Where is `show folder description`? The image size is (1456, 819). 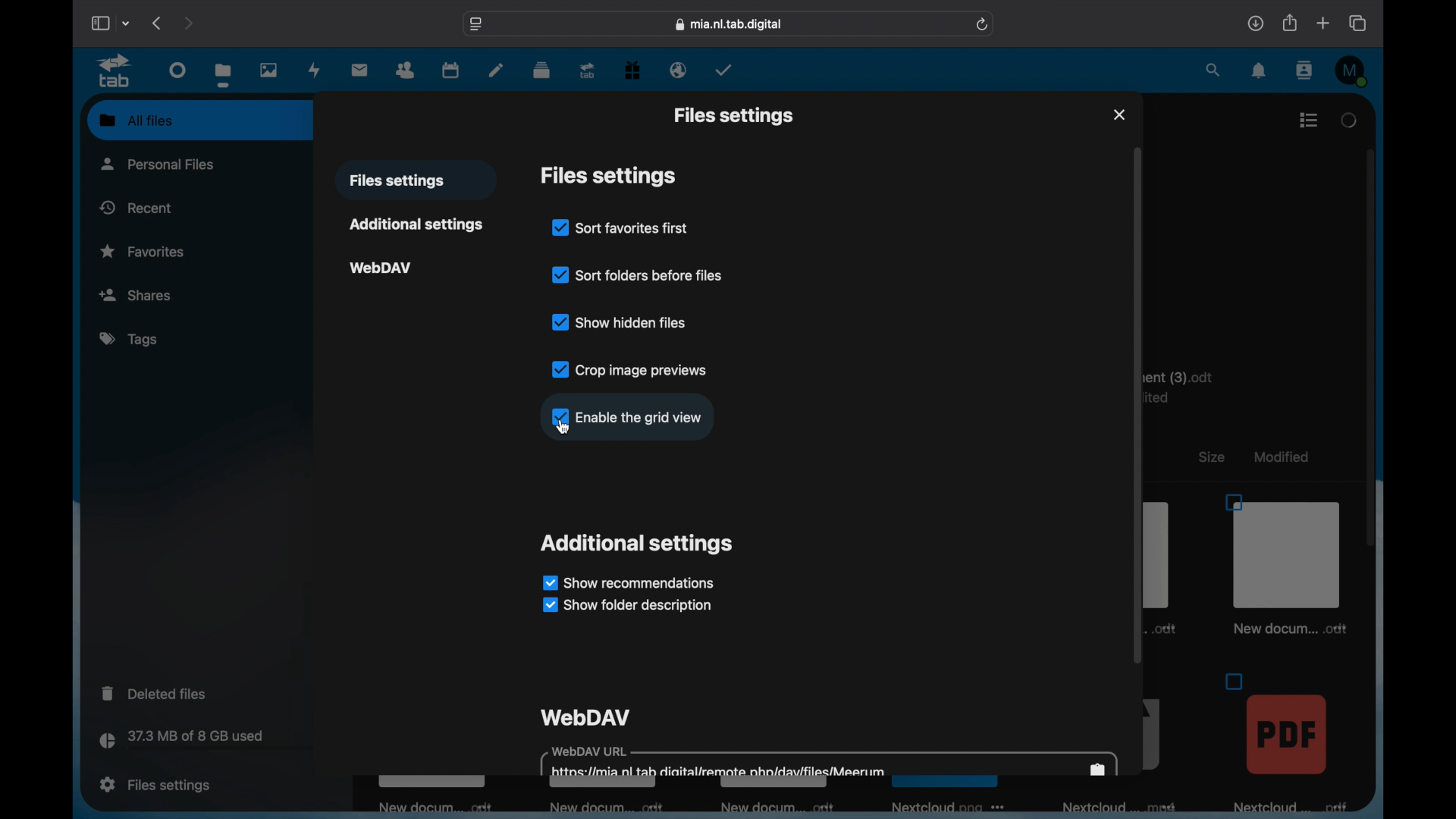 show folder description is located at coordinates (625, 606).